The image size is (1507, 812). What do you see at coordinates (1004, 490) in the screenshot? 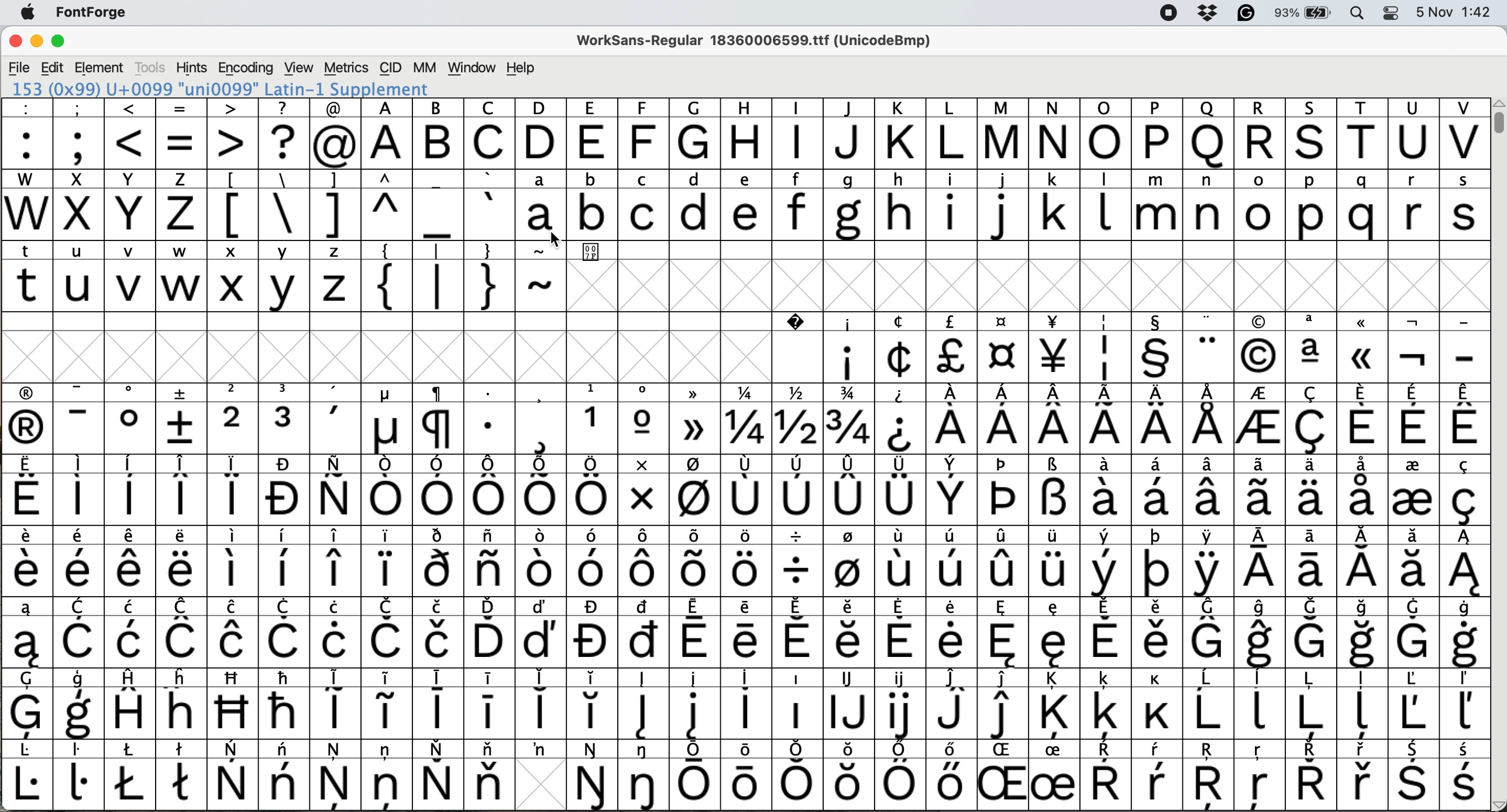
I see `symbol` at bounding box center [1004, 490].